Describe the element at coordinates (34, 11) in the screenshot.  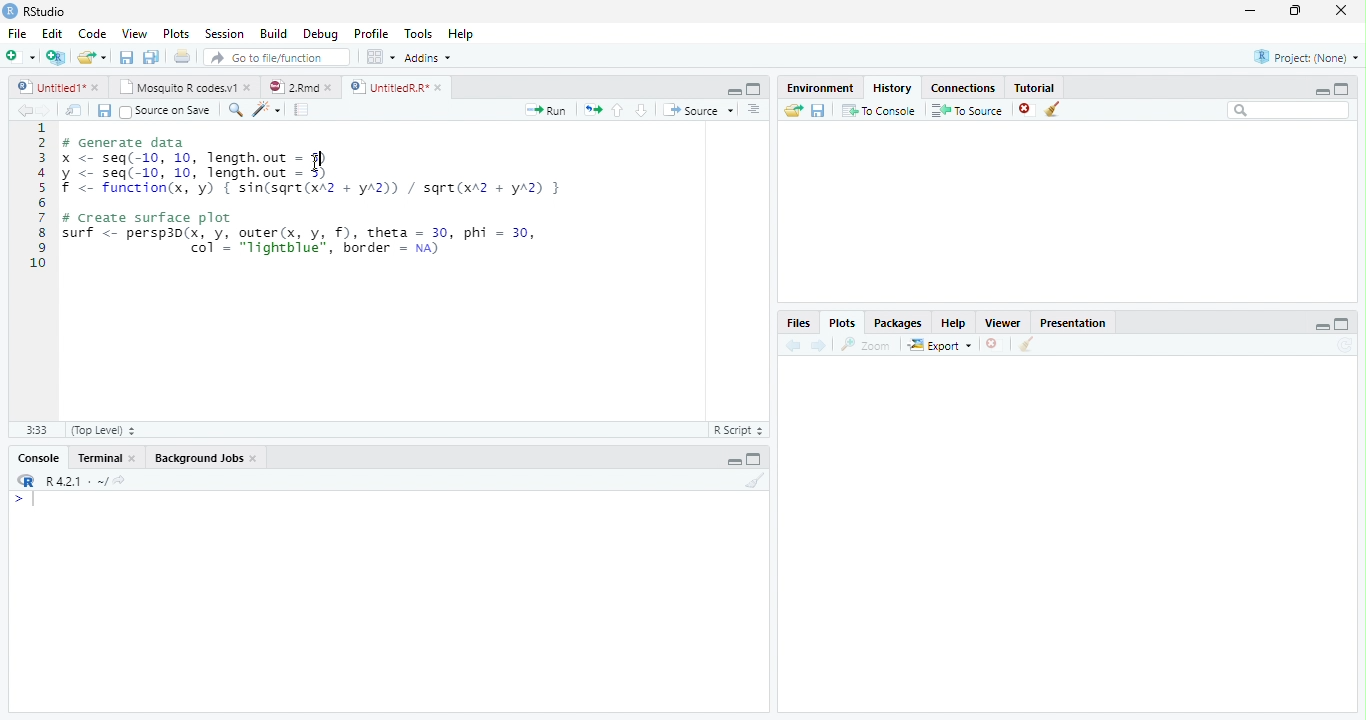
I see `RStudio` at that location.